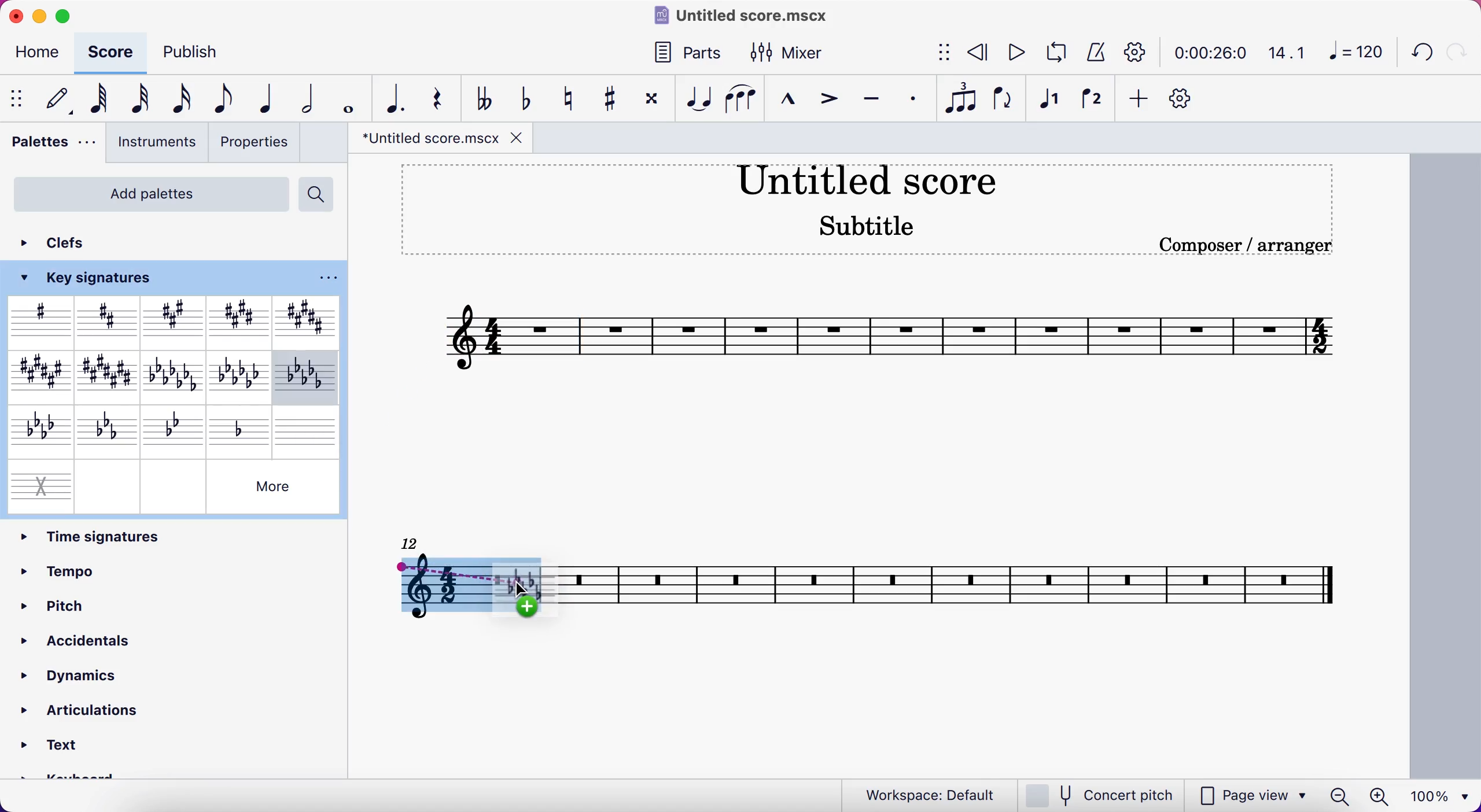 This screenshot has height=812, width=1481. Describe the element at coordinates (318, 194) in the screenshot. I see `search palettes` at that location.